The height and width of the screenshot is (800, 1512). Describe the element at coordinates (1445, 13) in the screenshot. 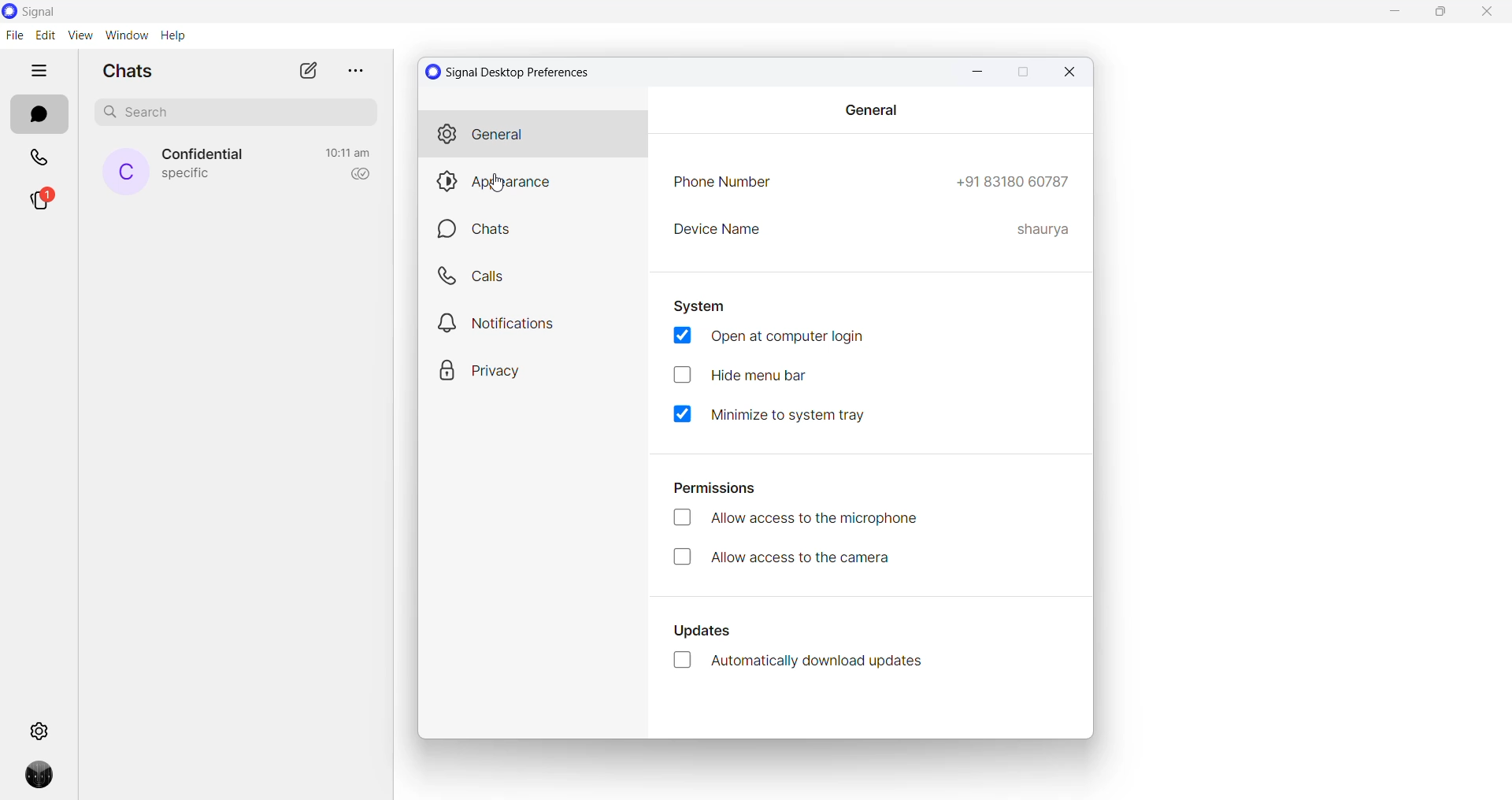

I see `maximize` at that location.